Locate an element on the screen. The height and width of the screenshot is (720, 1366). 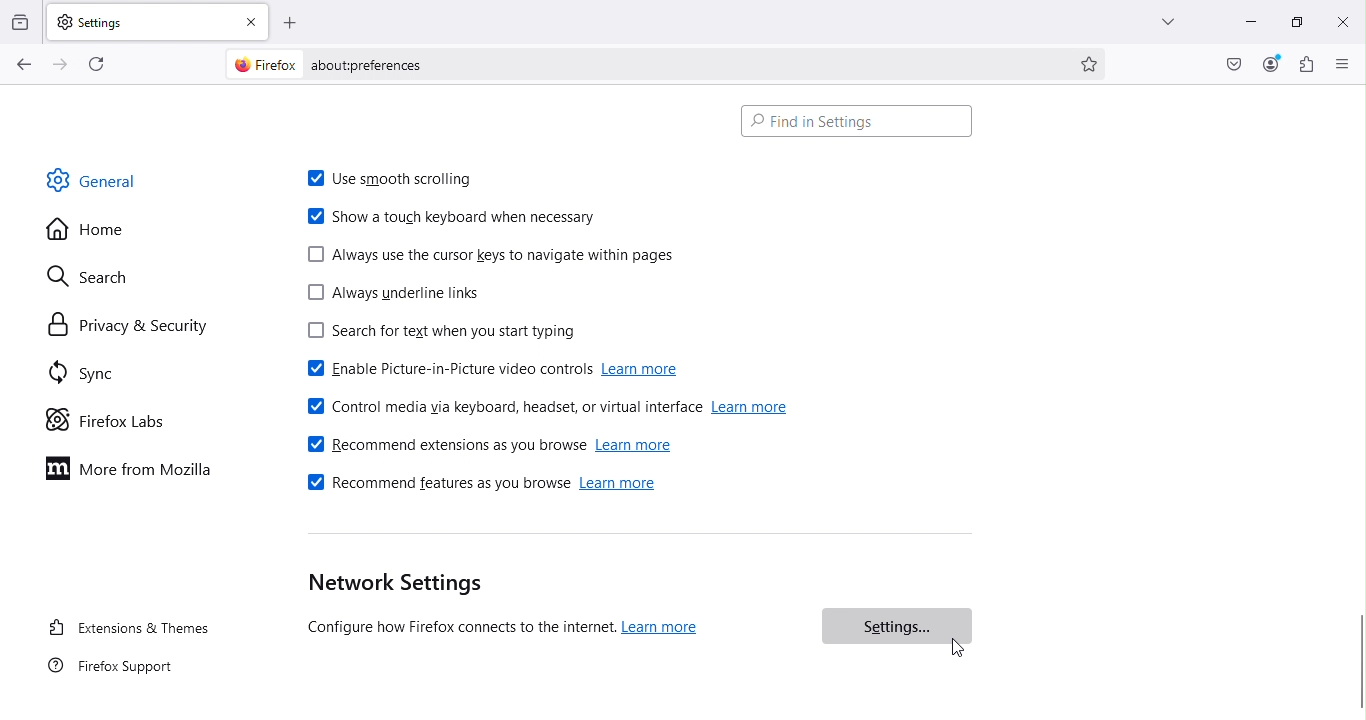
Go forward one page is located at coordinates (63, 63).